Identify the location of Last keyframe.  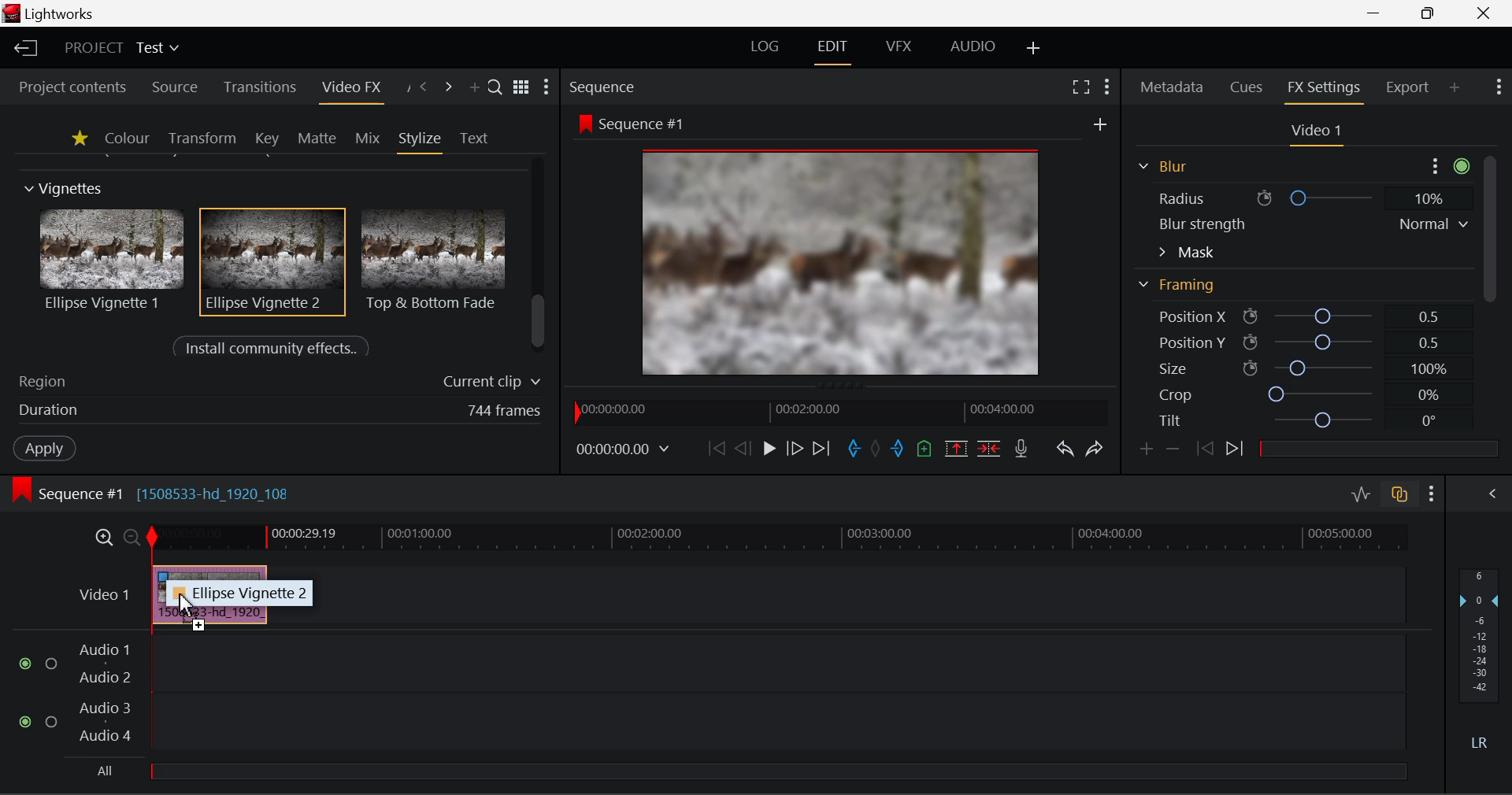
(1206, 451).